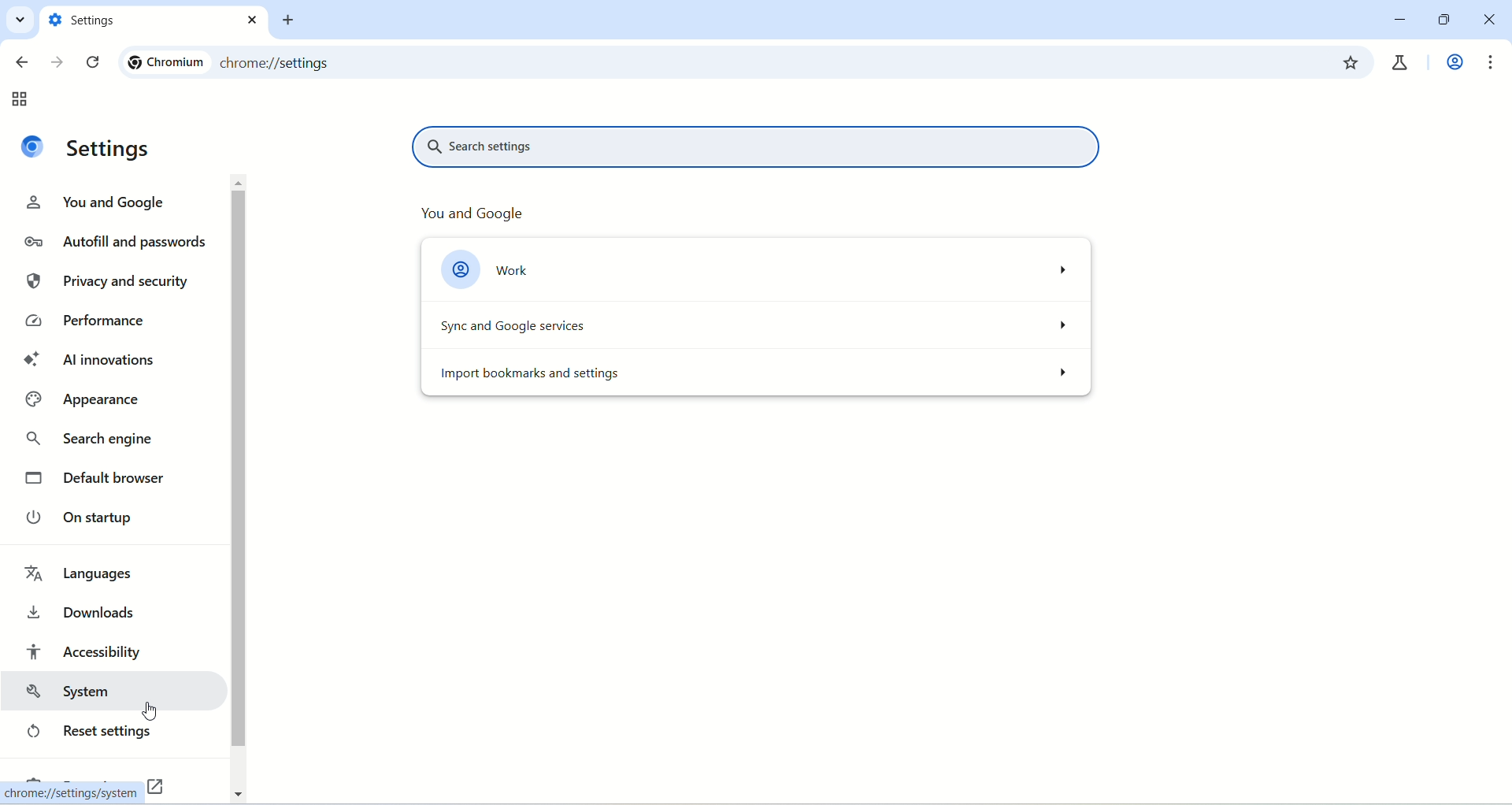 The height and width of the screenshot is (805, 1512). Describe the element at coordinates (94, 443) in the screenshot. I see `search engine` at that location.